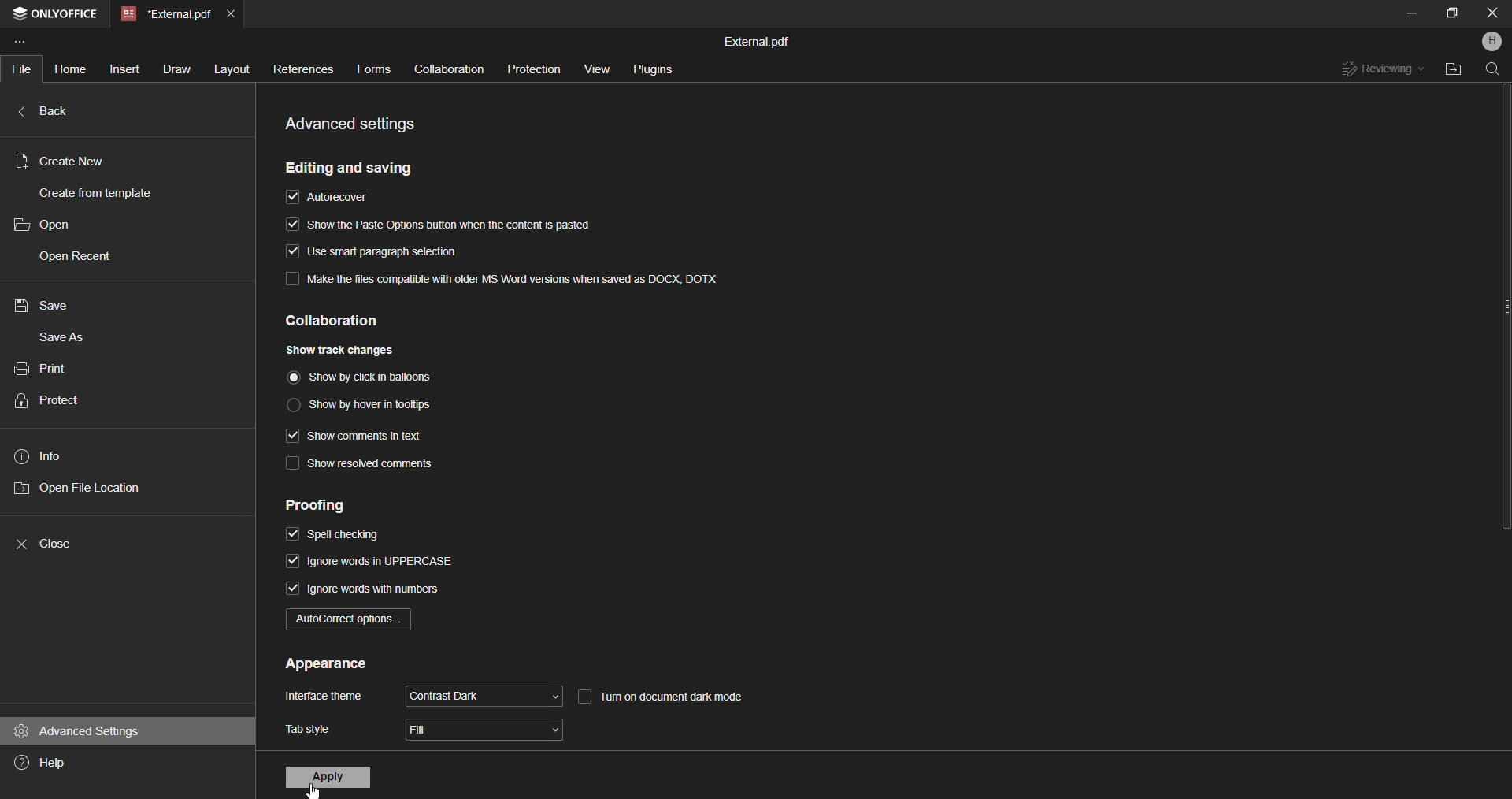 The image size is (1512, 799). Describe the element at coordinates (369, 376) in the screenshot. I see `show by click in ballons` at that location.